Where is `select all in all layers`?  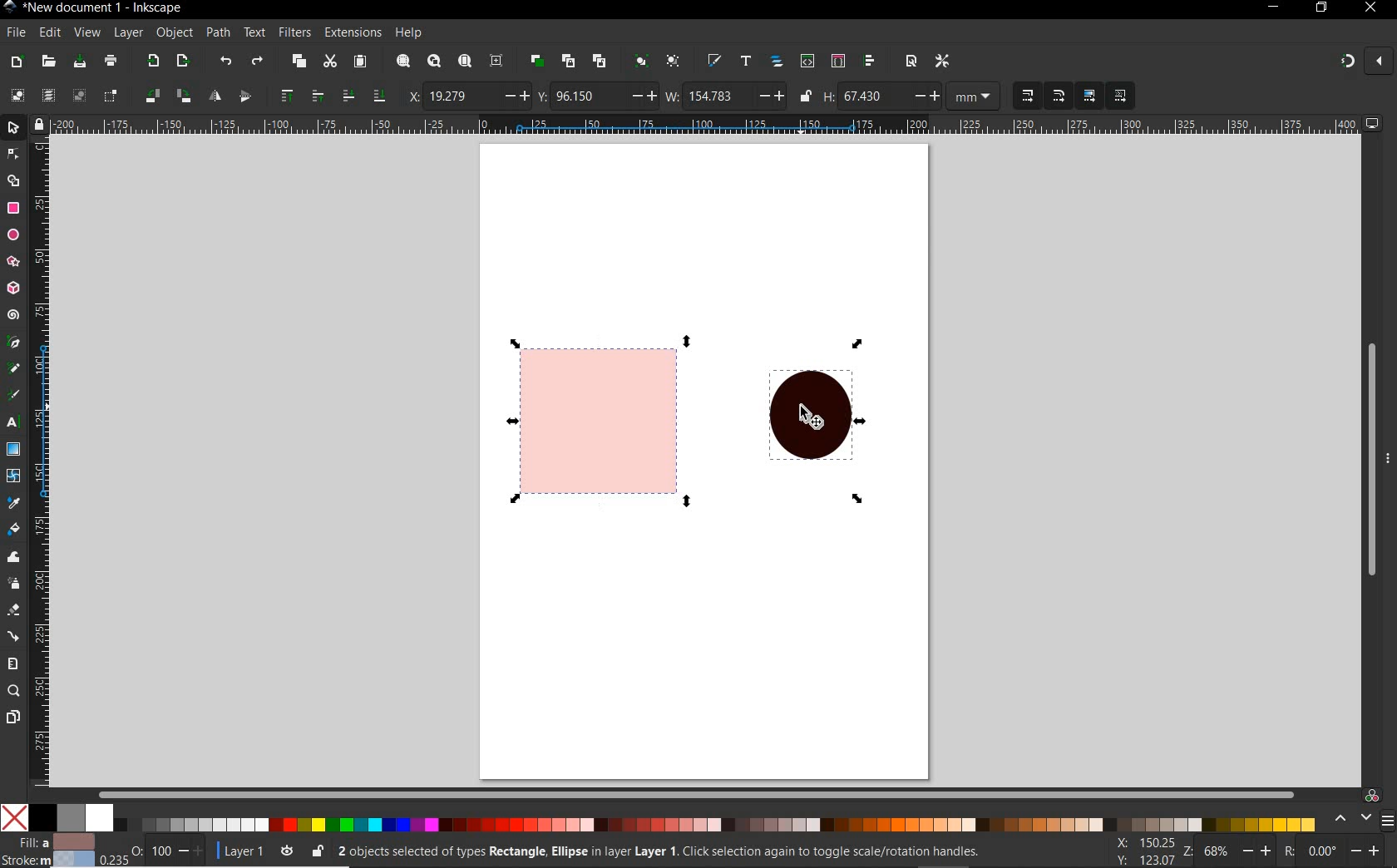
select all in all layers is located at coordinates (45, 94).